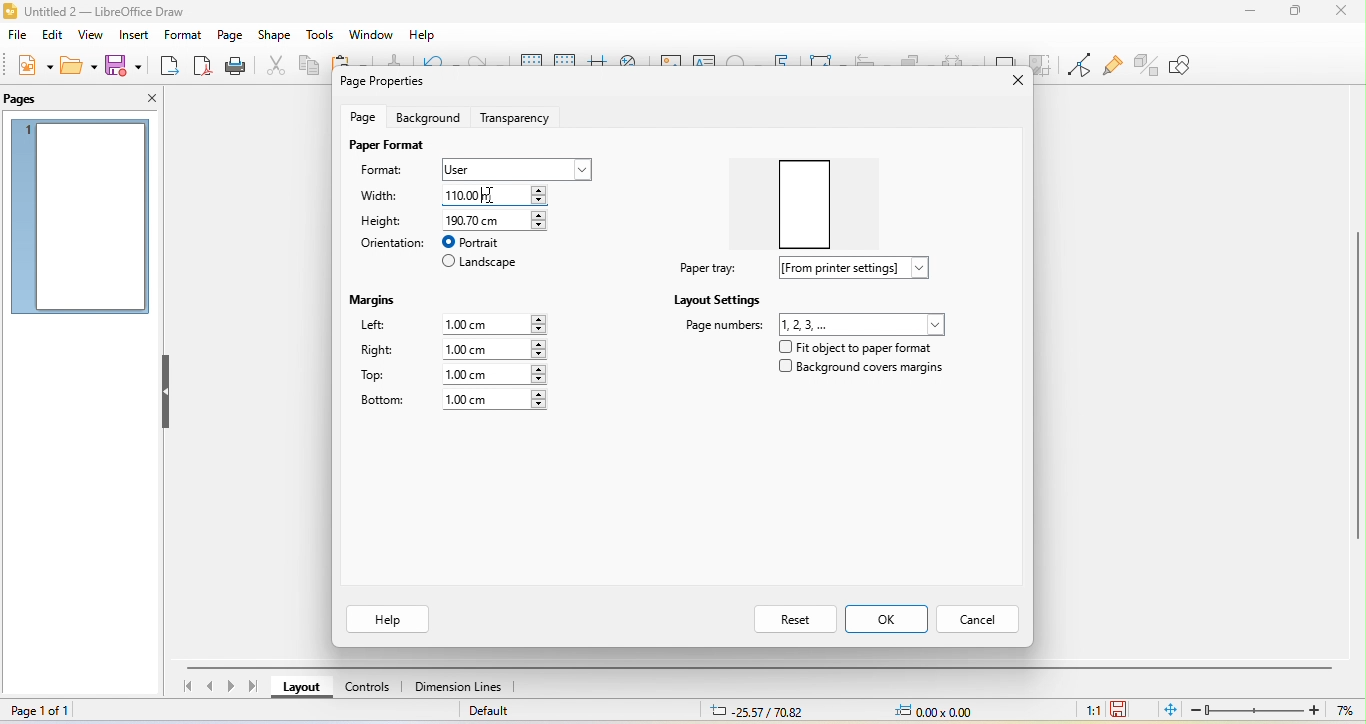 The width and height of the screenshot is (1366, 724). What do you see at coordinates (933, 710) in the screenshot?
I see `0.00x0.00` at bounding box center [933, 710].